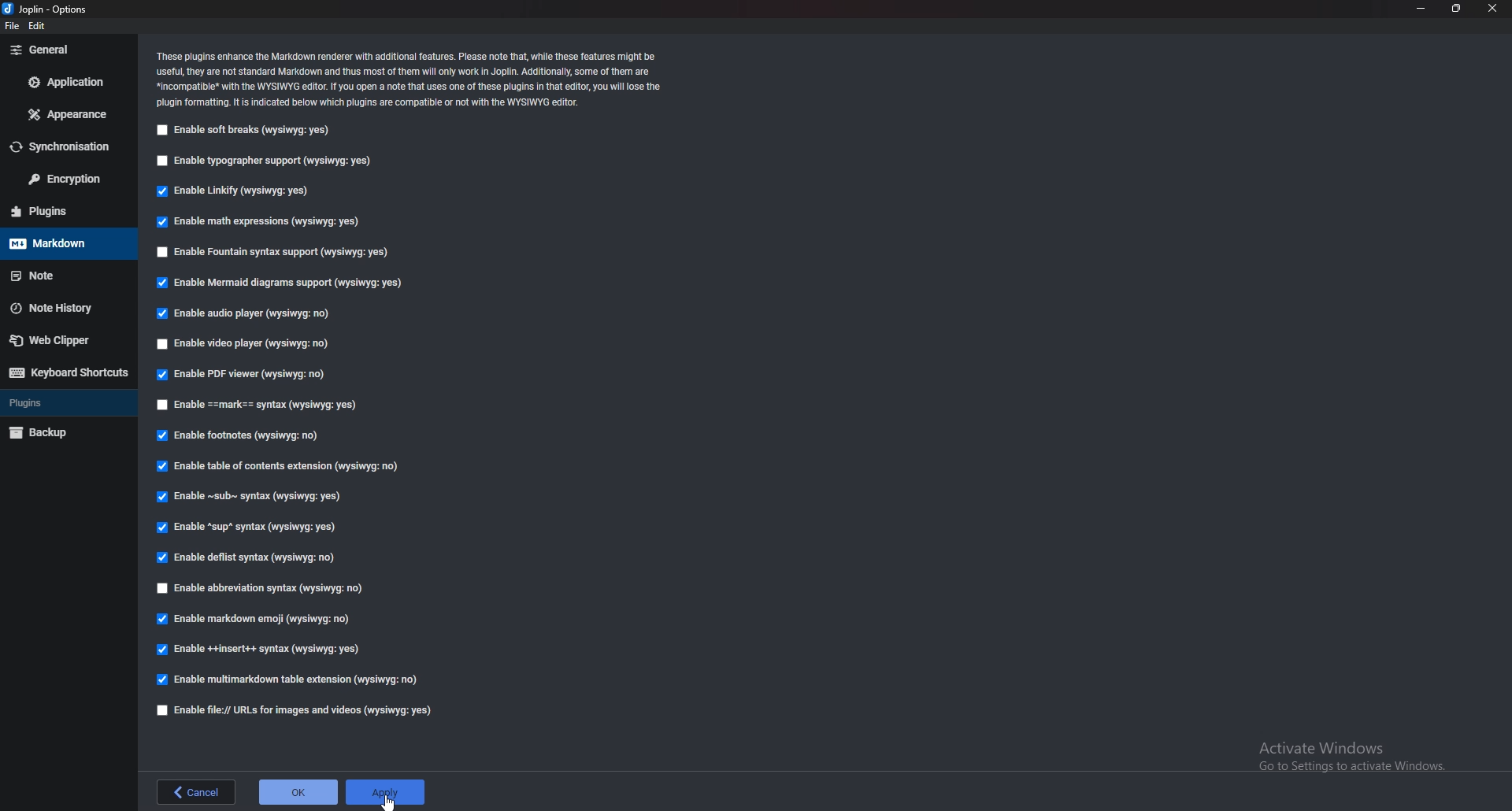 The image size is (1512, 811). Describe the element at coordinates (277, 254) in the screenshot. I see `Enable fountain syntax support (wysiqyg:yes)` at that location.